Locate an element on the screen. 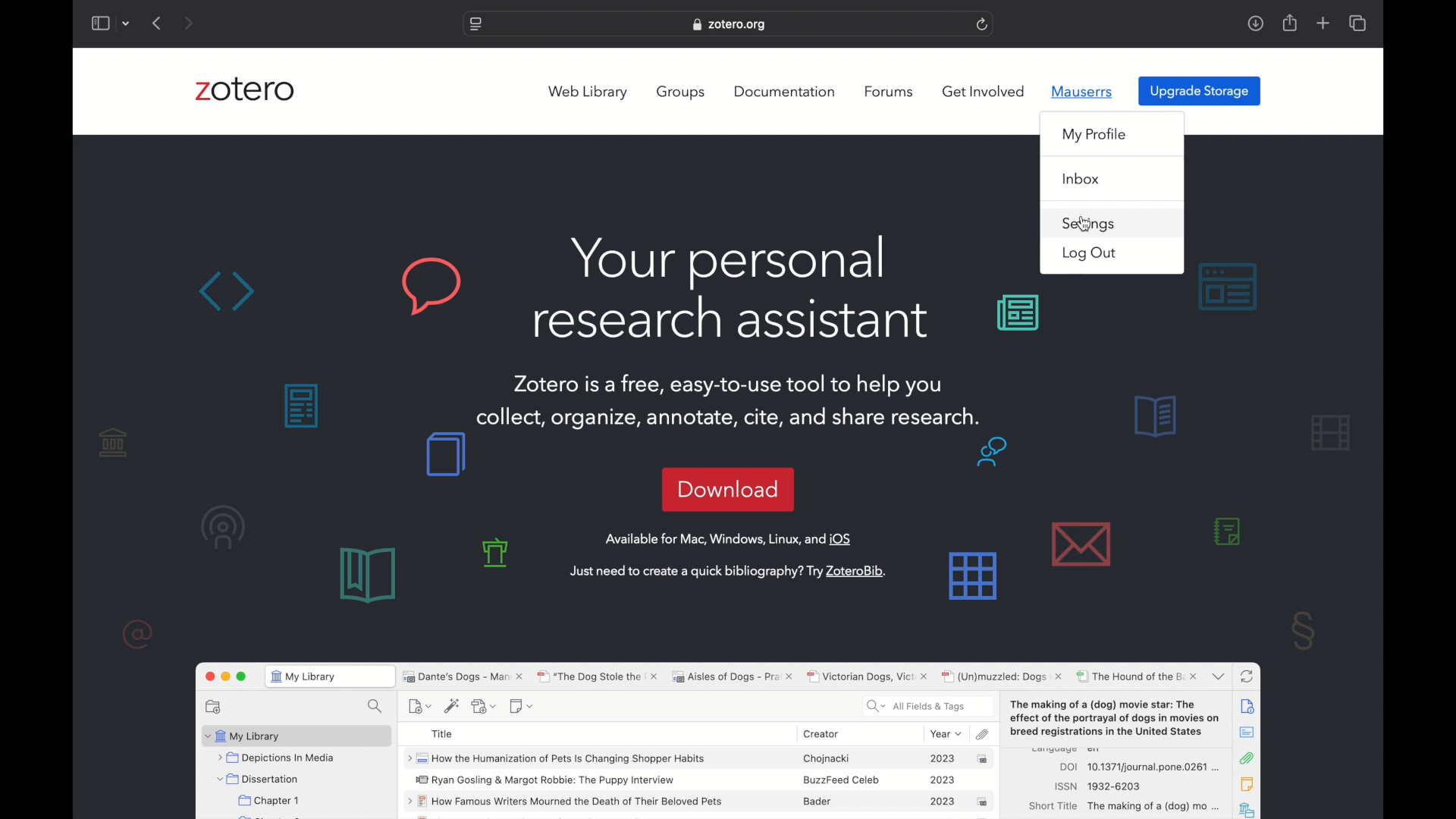 The height and width of the screenshot is (819, 1456). my profile is located at coordinates (1095, 135).